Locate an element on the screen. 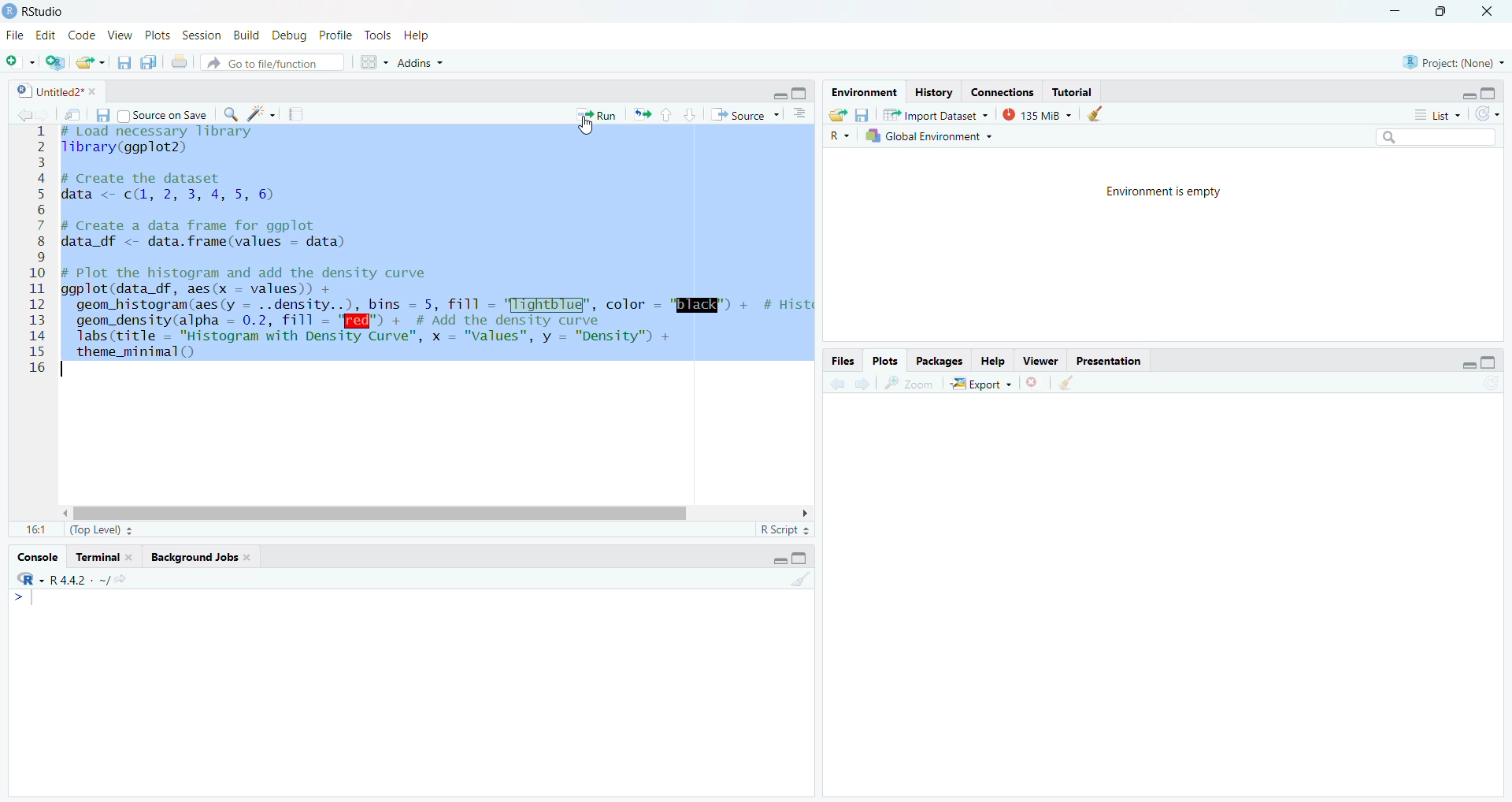  Untitled2* is located at coordinates (47, 89).